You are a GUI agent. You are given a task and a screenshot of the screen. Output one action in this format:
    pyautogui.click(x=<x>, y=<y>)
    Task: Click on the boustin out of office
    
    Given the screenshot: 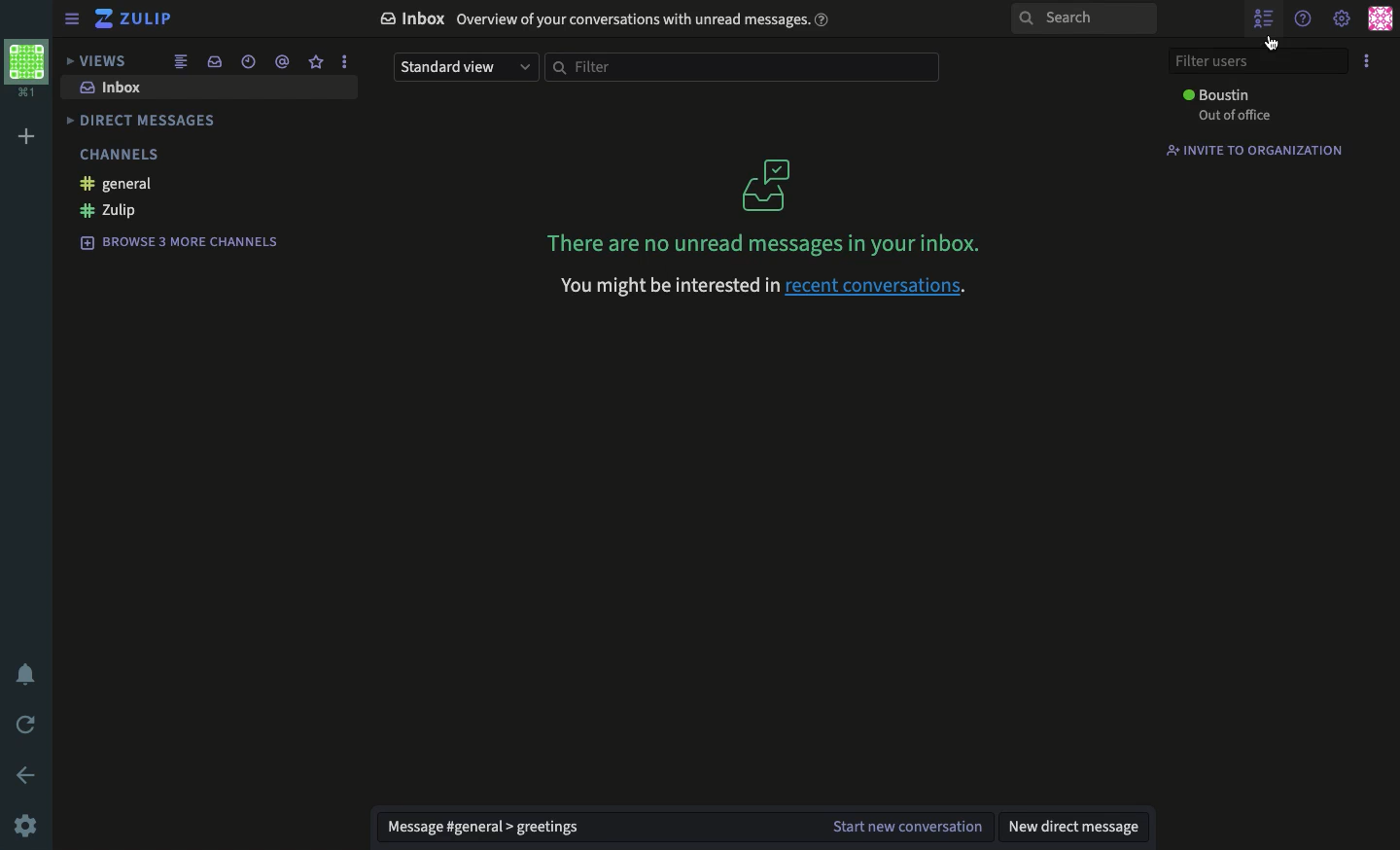 What is the action you would take?
    pyautogui.click(x=1223, y=106)
    